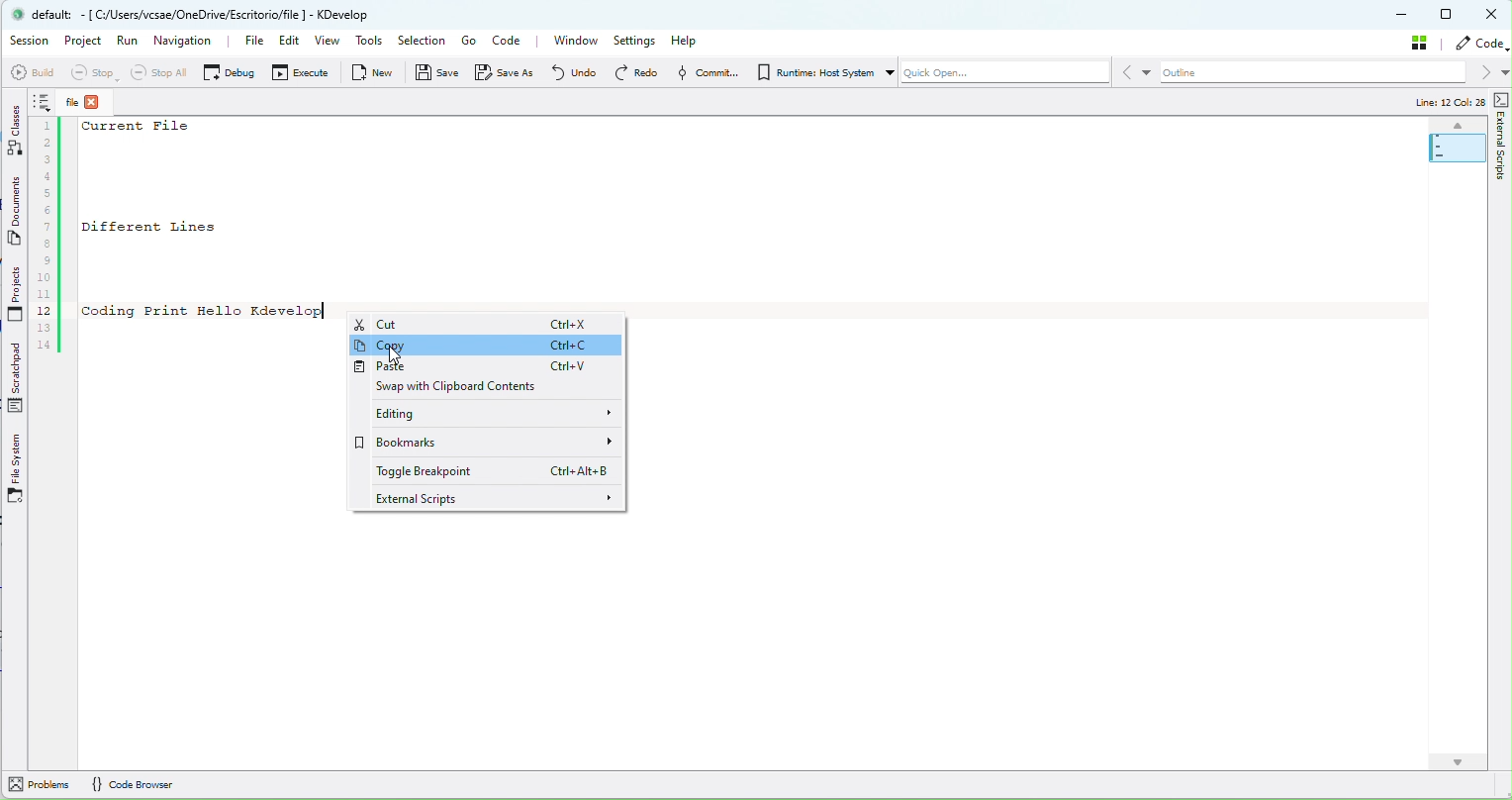  Describe the element at coordinates (207, 14) in the screenshot. I see `default: - [ C:/Users/vcsae/OneDrive/Escritorio/file] - KDevelop (Application details)` at that location.